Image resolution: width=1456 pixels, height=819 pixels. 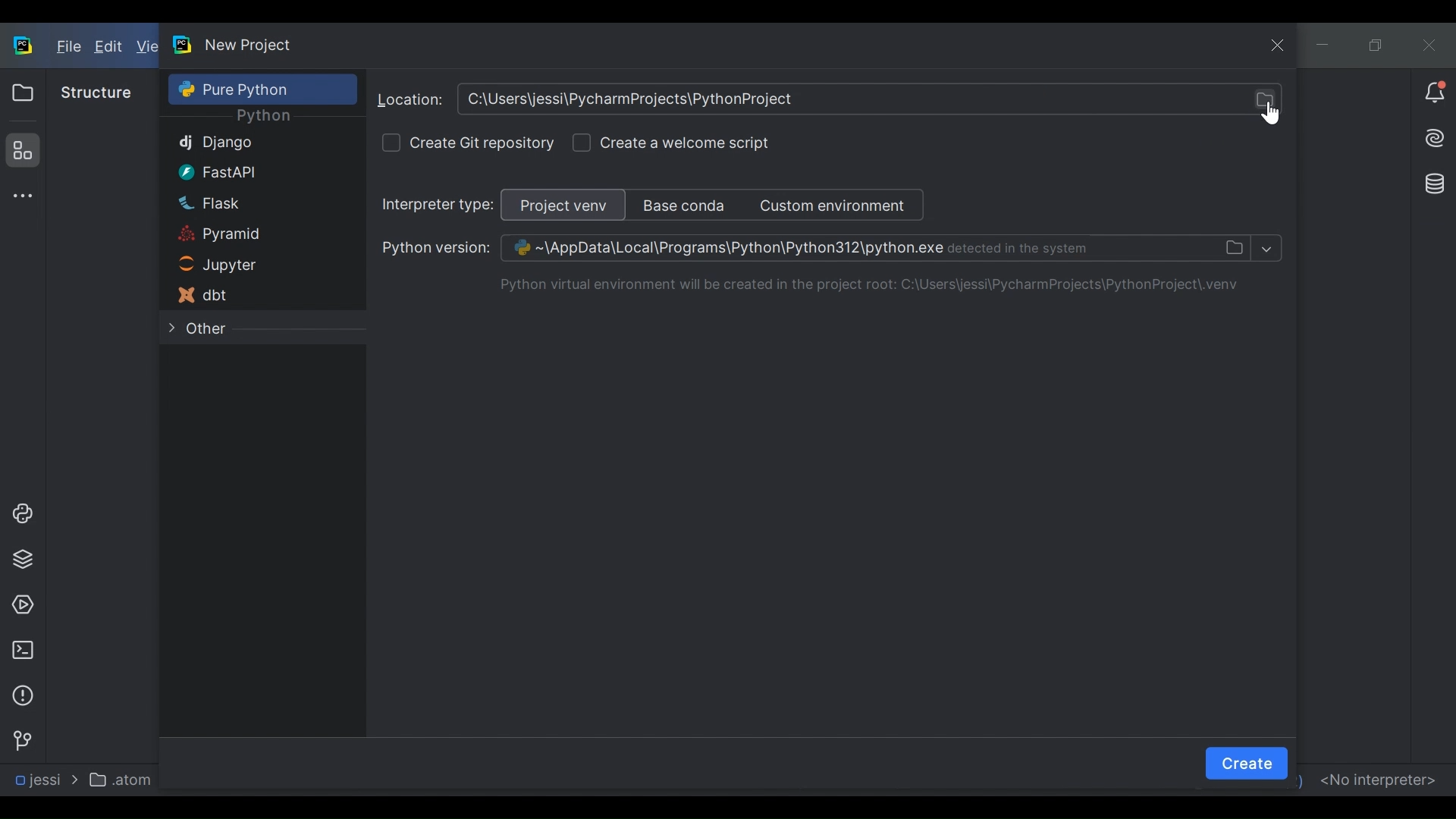 I want to click on (un)check Git repository, so click(x=482, y=140).